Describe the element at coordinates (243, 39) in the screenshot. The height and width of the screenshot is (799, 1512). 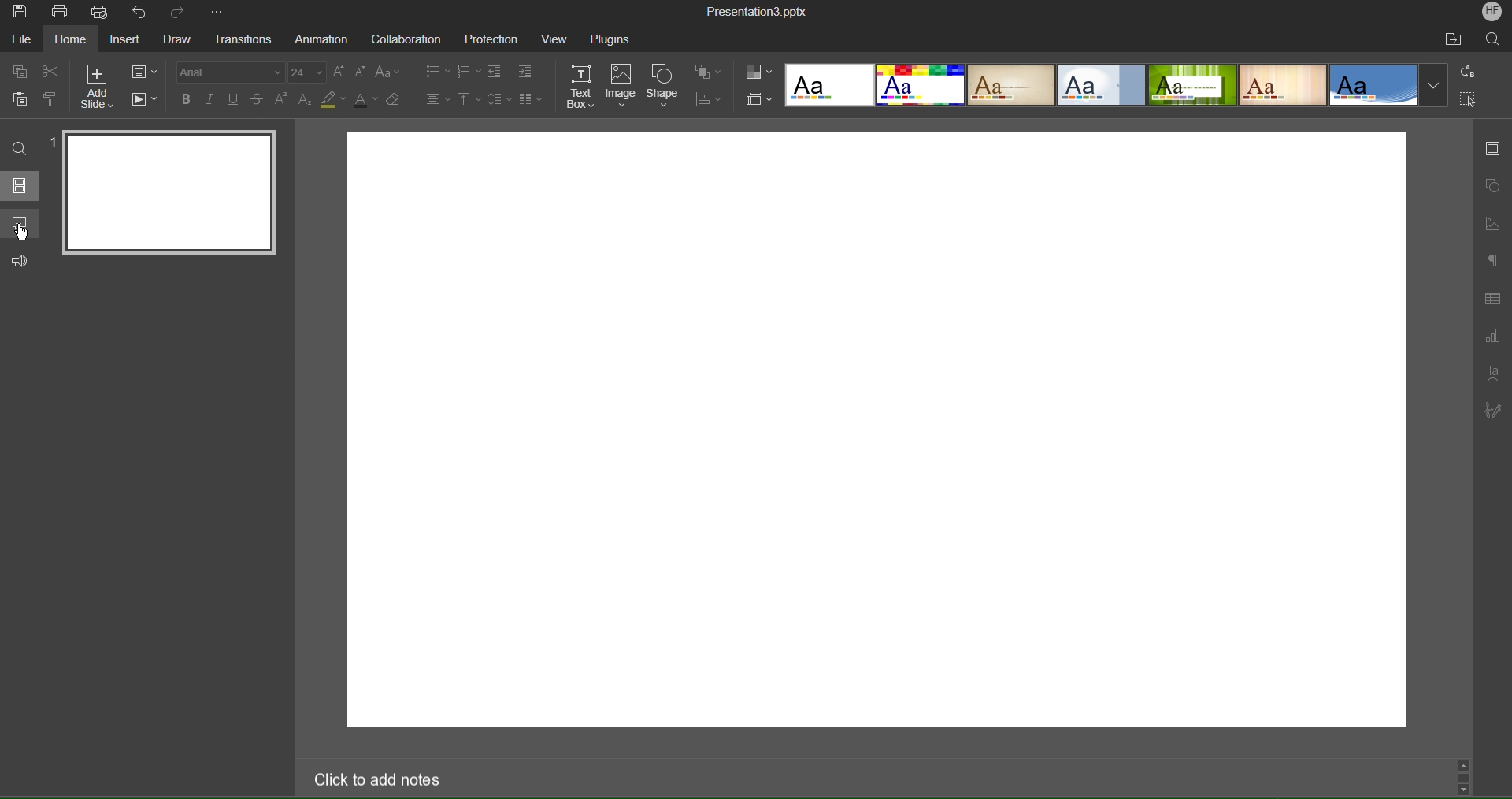
I see `Transitions` at that location.